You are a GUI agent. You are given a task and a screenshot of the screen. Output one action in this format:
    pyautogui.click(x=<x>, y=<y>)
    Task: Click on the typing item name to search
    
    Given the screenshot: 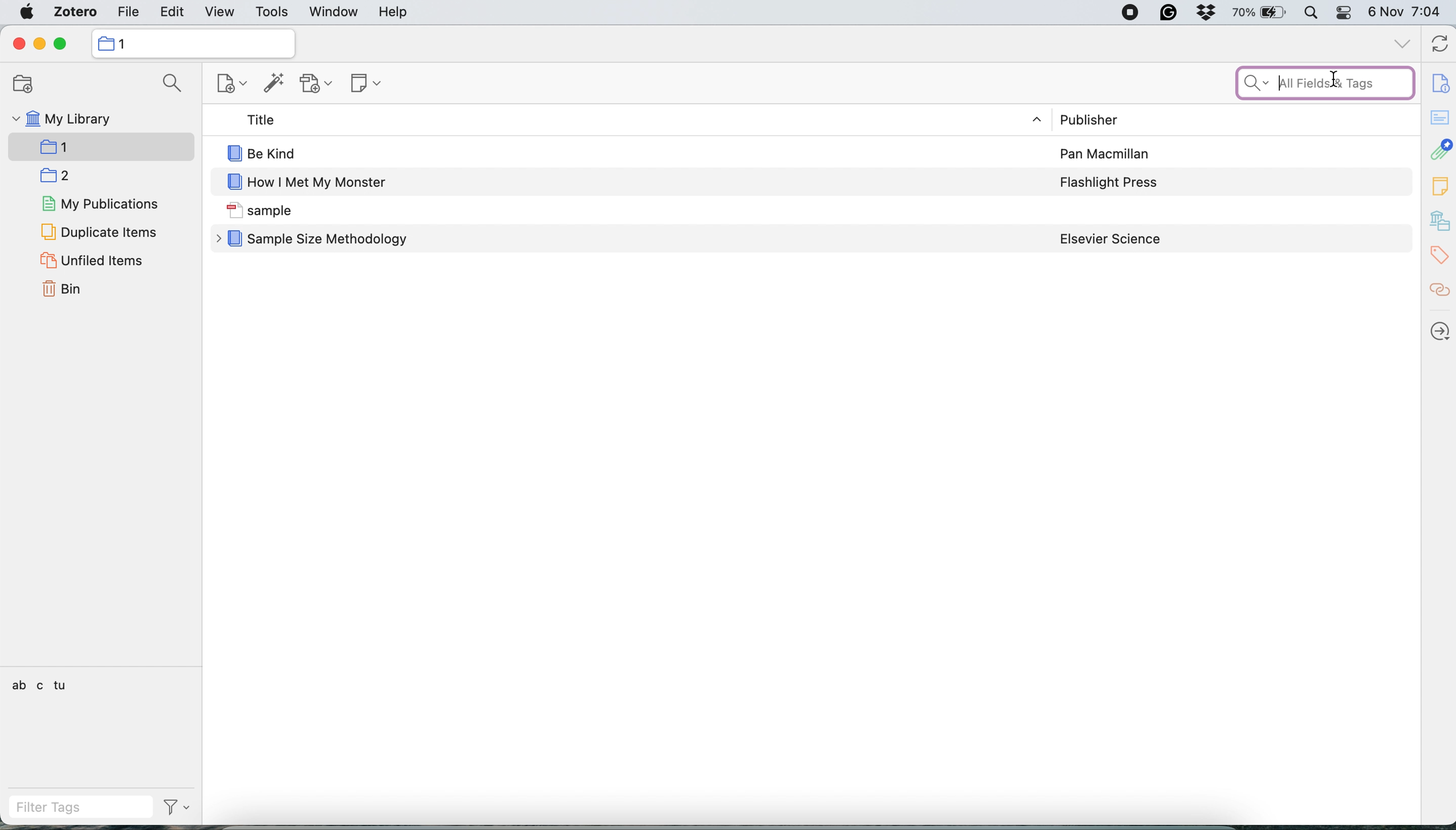 What is the action you would take?
    pyautogui.click(x=1324, y=83)
    